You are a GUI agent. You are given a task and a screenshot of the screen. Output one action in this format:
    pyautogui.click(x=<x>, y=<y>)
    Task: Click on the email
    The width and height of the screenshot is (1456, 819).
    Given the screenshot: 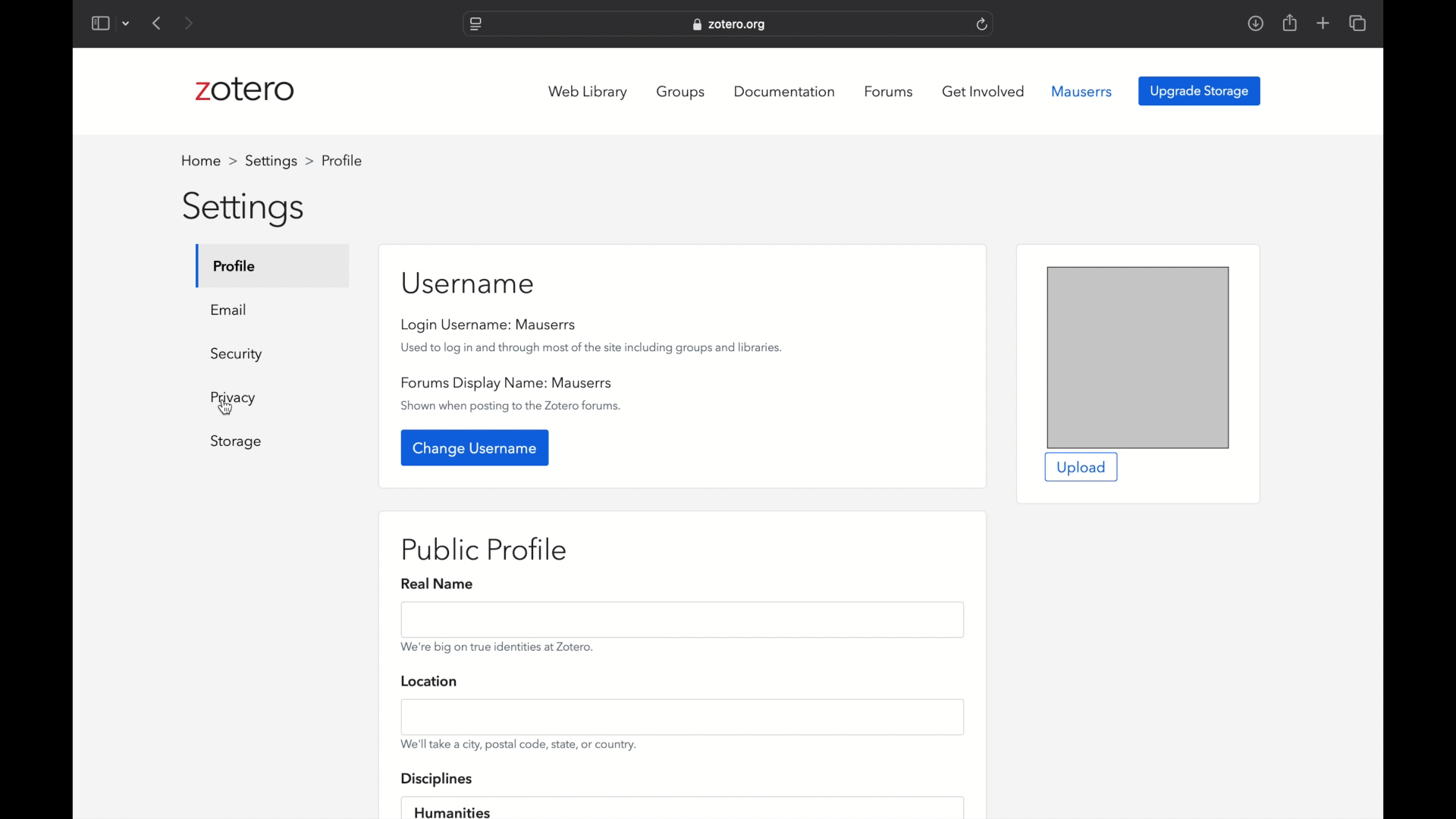 What is the action you would take?
    pyautogui.click(x=231, y=309)
    